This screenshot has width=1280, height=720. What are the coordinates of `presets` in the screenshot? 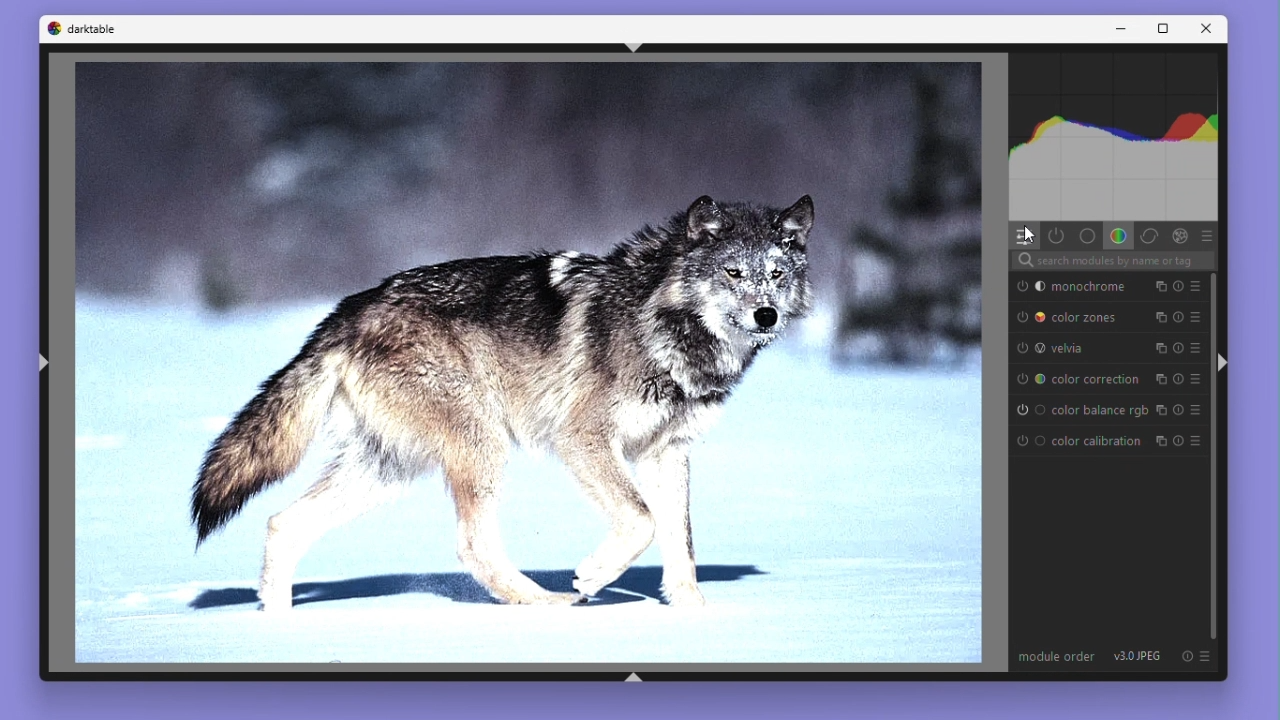 It's located at (1196, 286).